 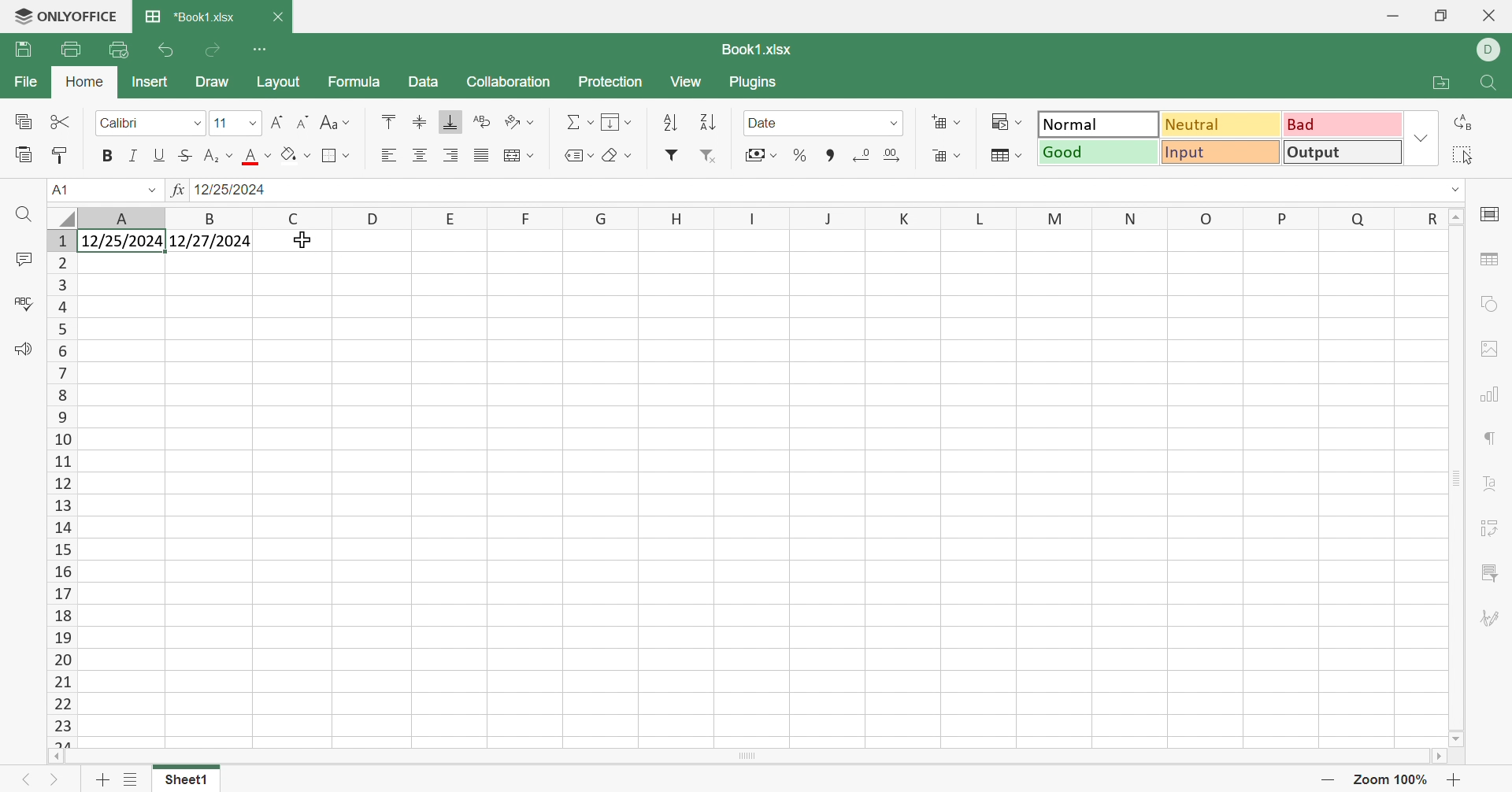 I want to click on Orientation, so click(x=521, y=120).